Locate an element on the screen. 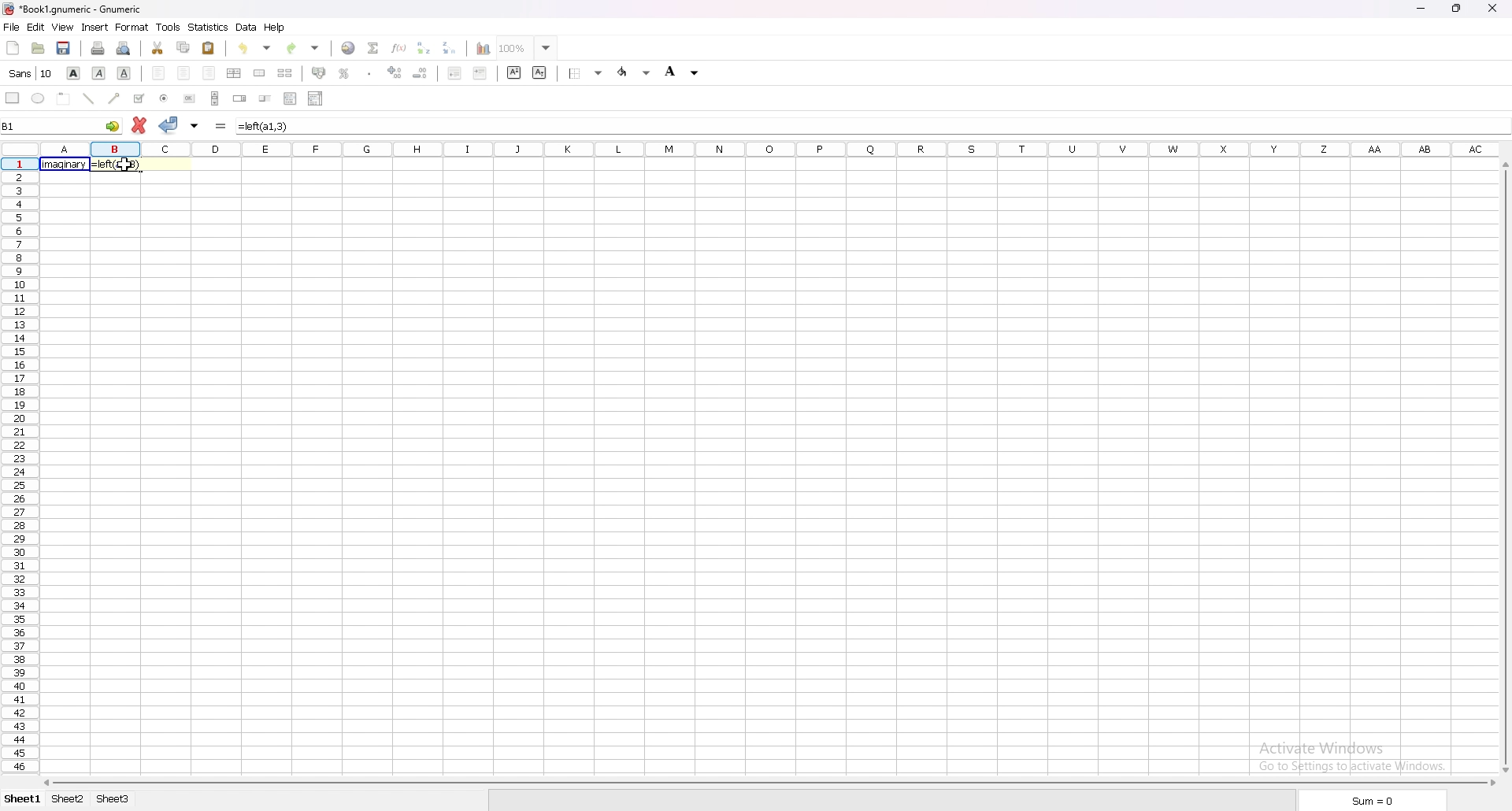  tools is located at coordinates (167, 27).